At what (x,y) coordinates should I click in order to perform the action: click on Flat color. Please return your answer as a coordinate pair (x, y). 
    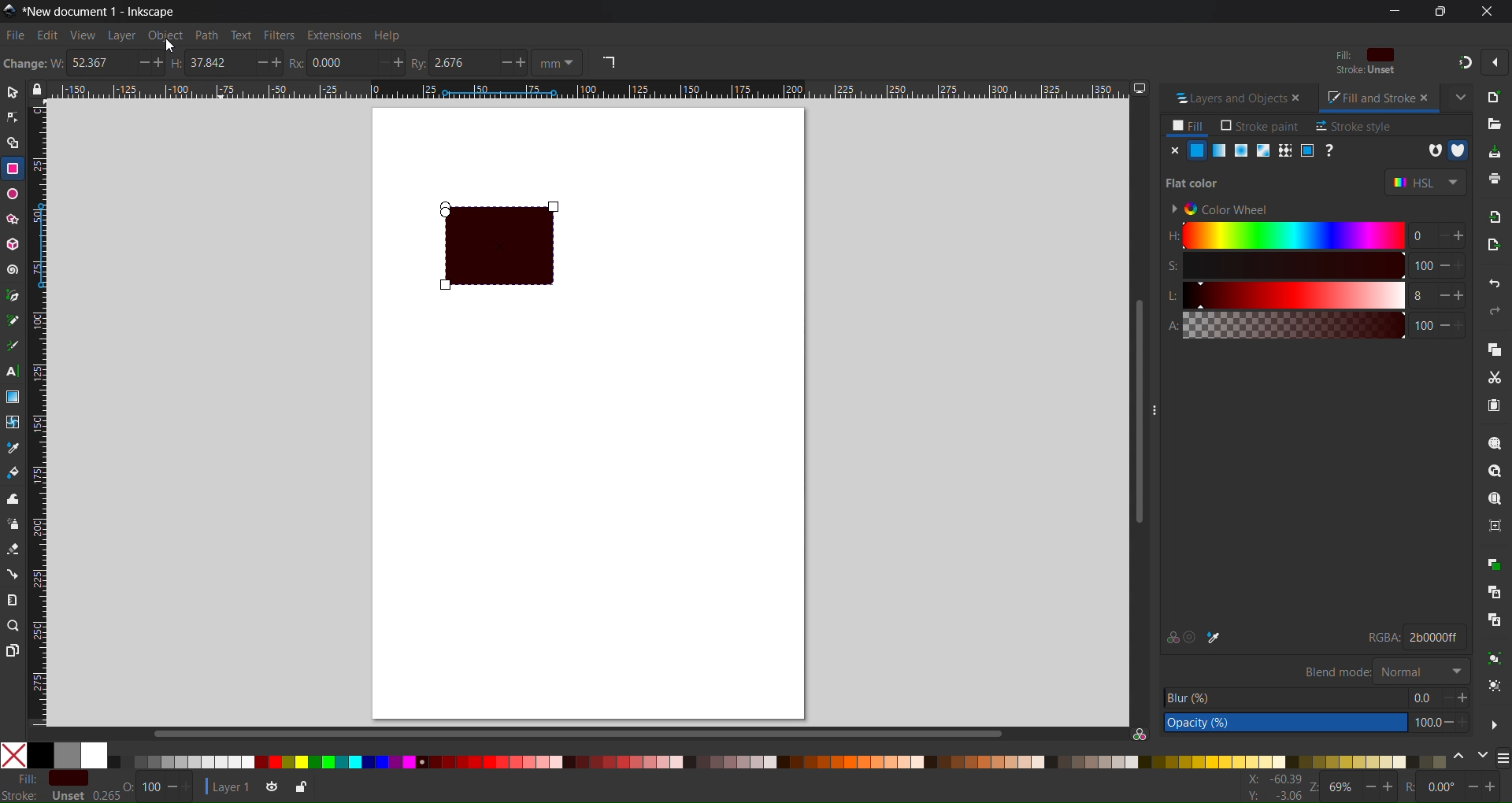
    Looking at the image, I should click on (68, 778).